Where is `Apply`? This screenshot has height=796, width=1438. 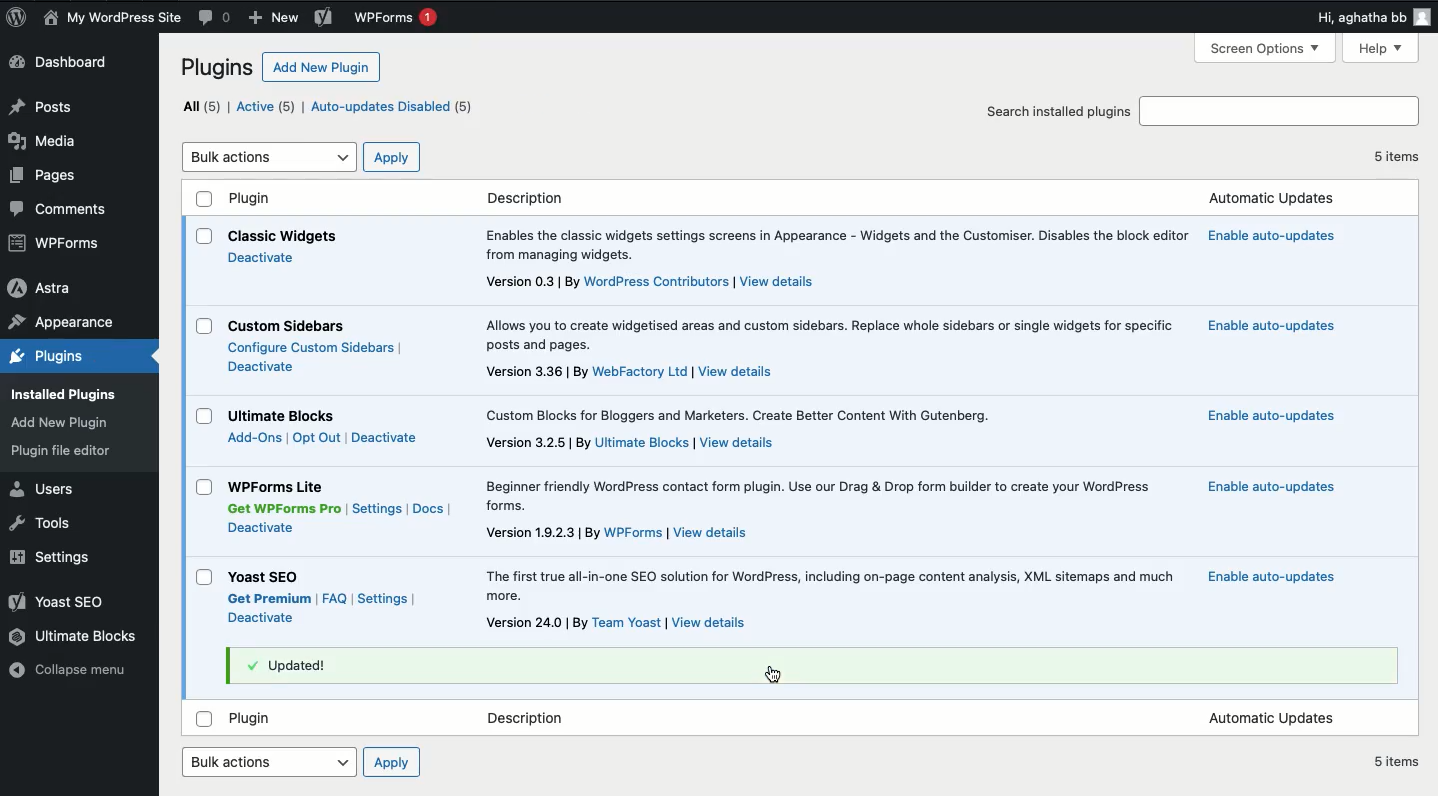 Apply is located at coordinates (393, 158).